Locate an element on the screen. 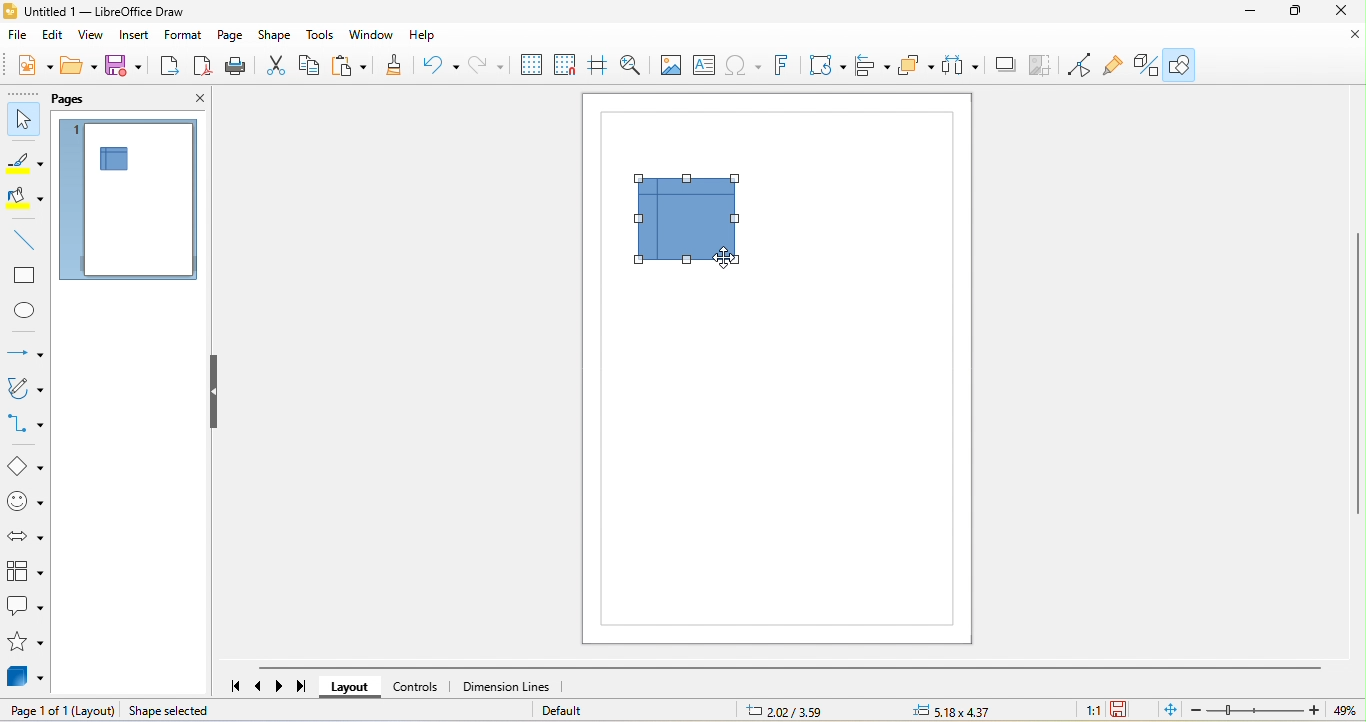  the document has been modified.click to save the document is located at coordinates (1122, 710).